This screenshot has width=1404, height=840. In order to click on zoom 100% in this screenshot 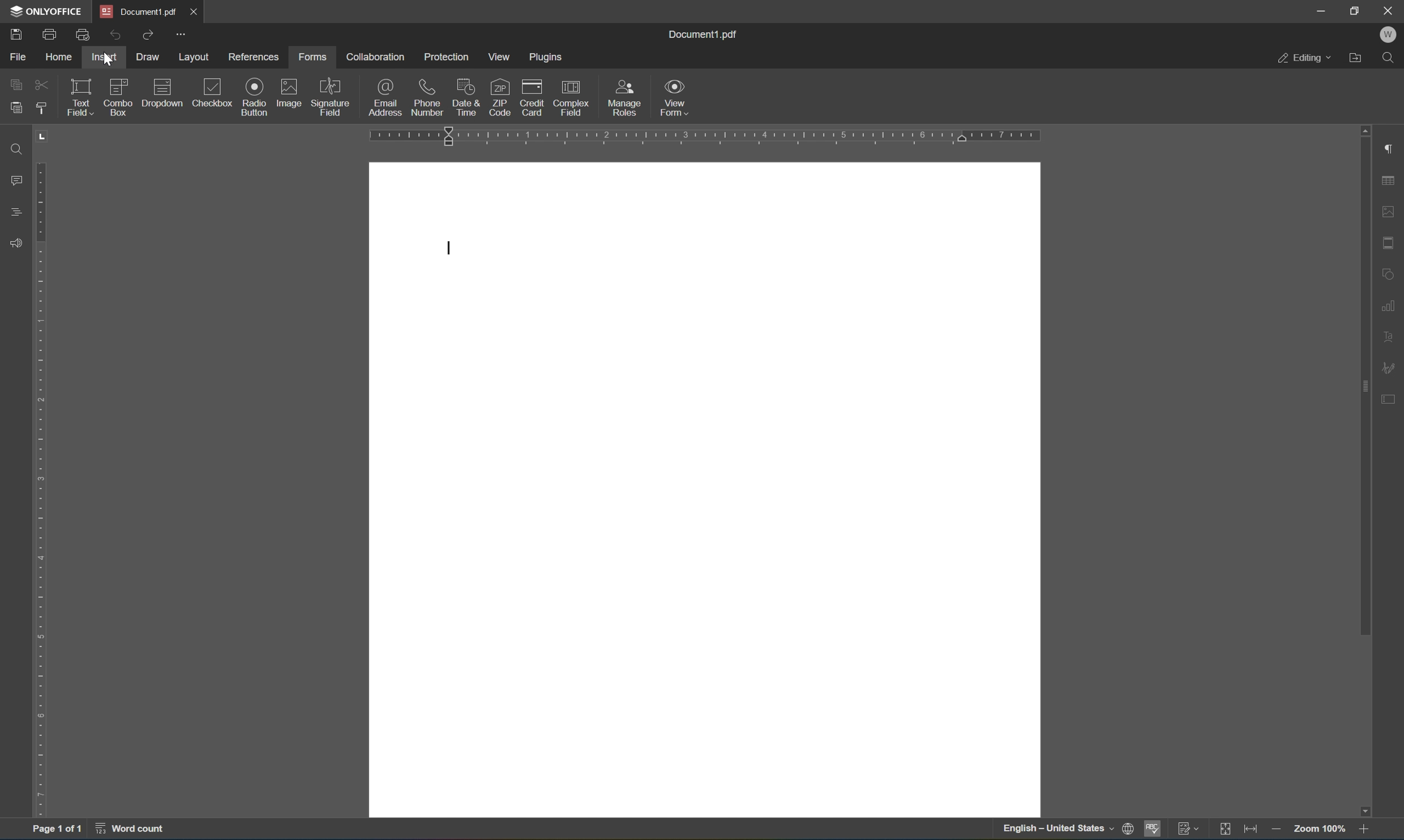, I will do `click(1320, 831)`.